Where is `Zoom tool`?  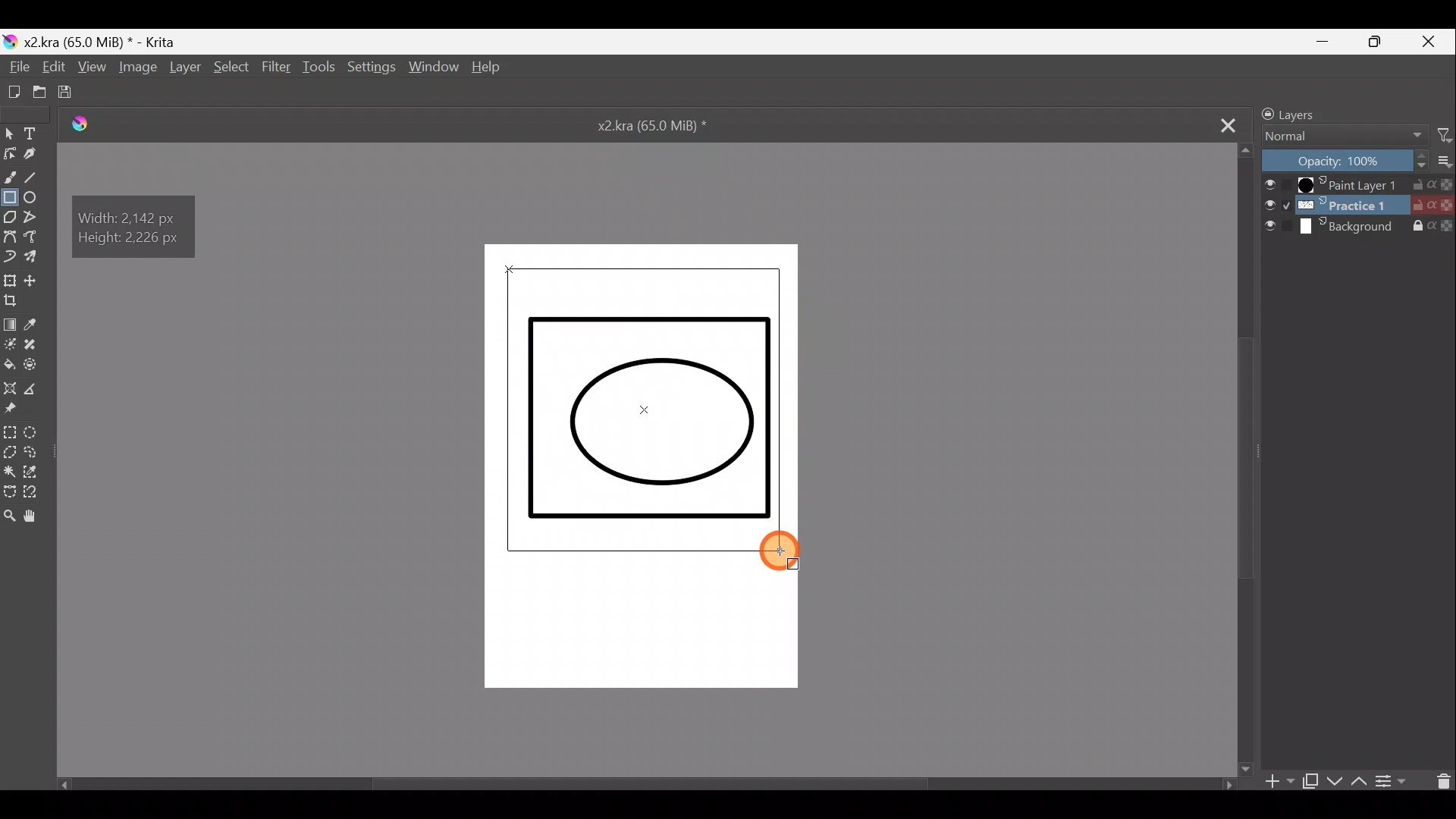
Zoom tool is located at coordinates (9, 513).